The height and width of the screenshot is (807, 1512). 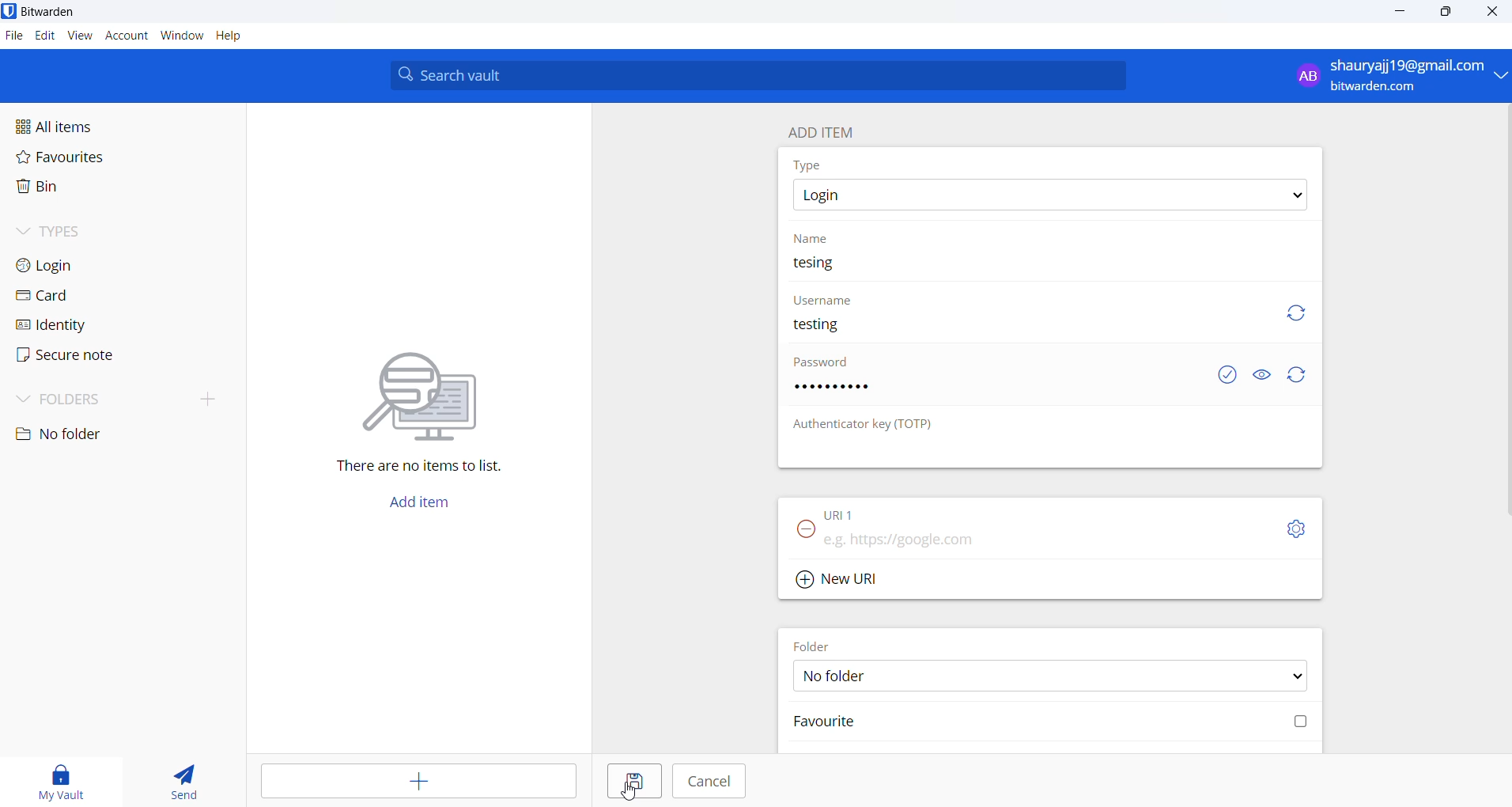 I want to click on close, so click(x=1493, y=13).